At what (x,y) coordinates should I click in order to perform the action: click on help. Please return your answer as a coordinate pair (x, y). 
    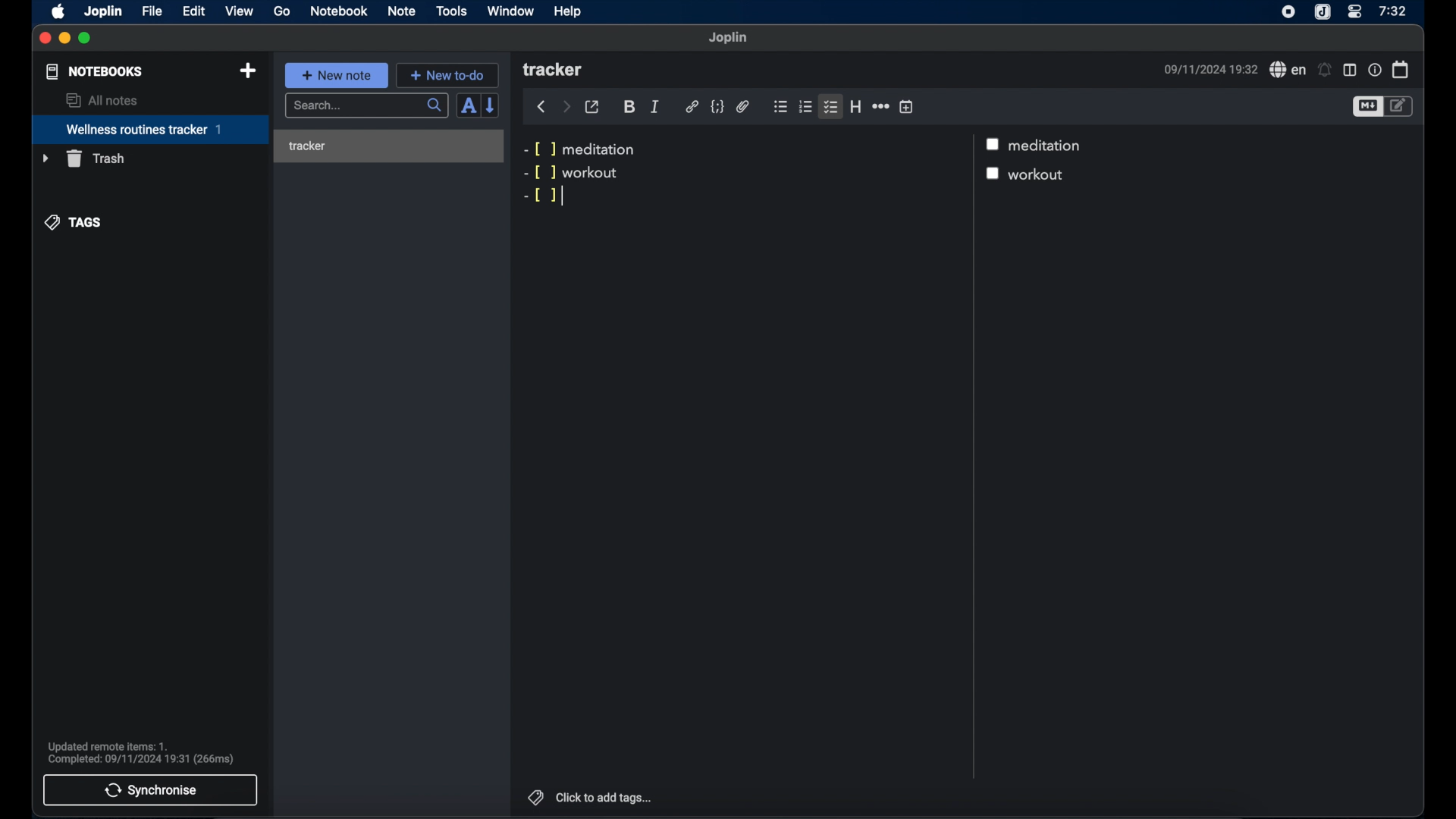
    Looking at the image, I should click on (569, 11).